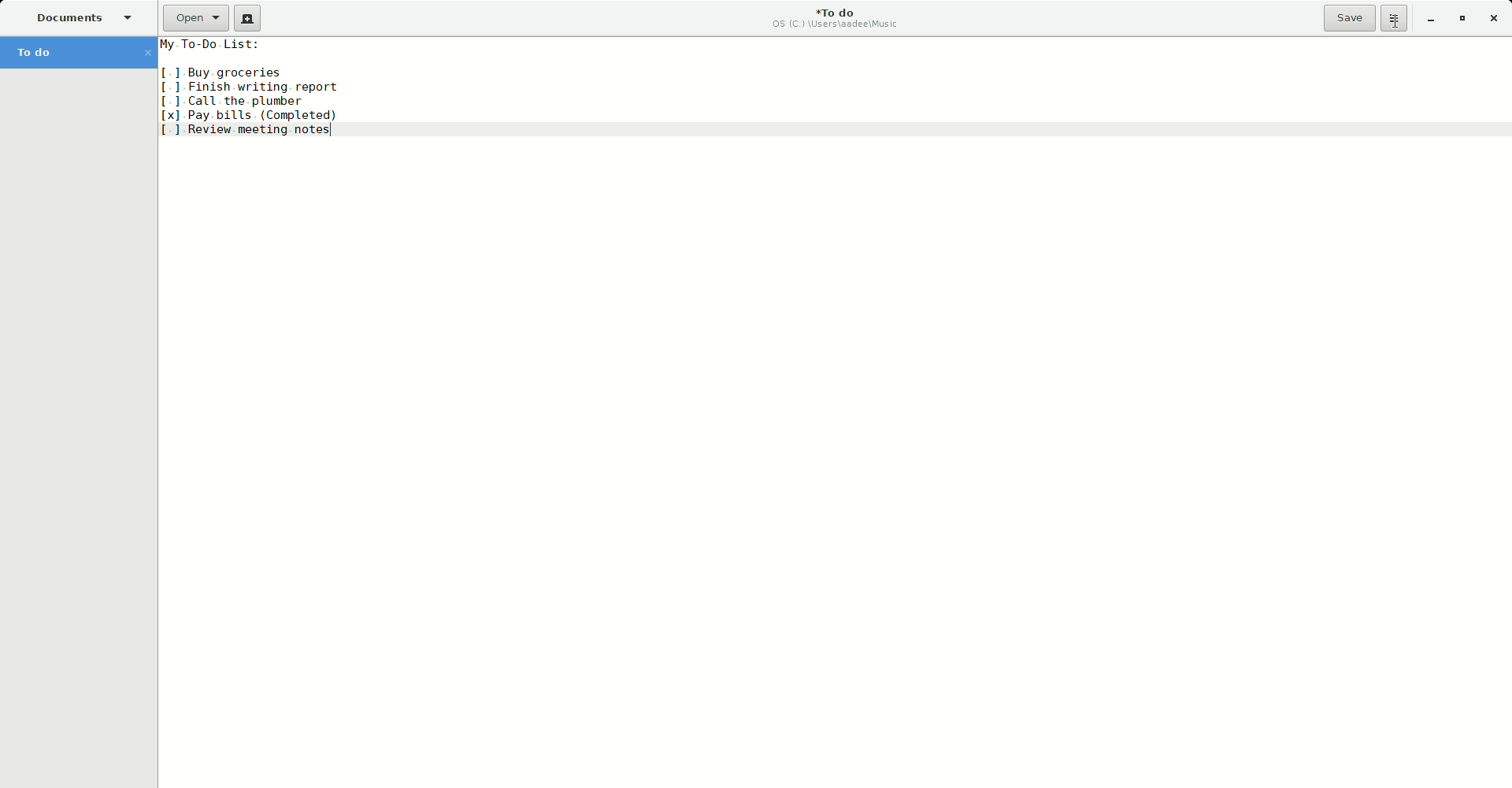  What do you see at coordinates (256, 88) in the screenshot?
I see `To do list` at bounding box center [256, 88].